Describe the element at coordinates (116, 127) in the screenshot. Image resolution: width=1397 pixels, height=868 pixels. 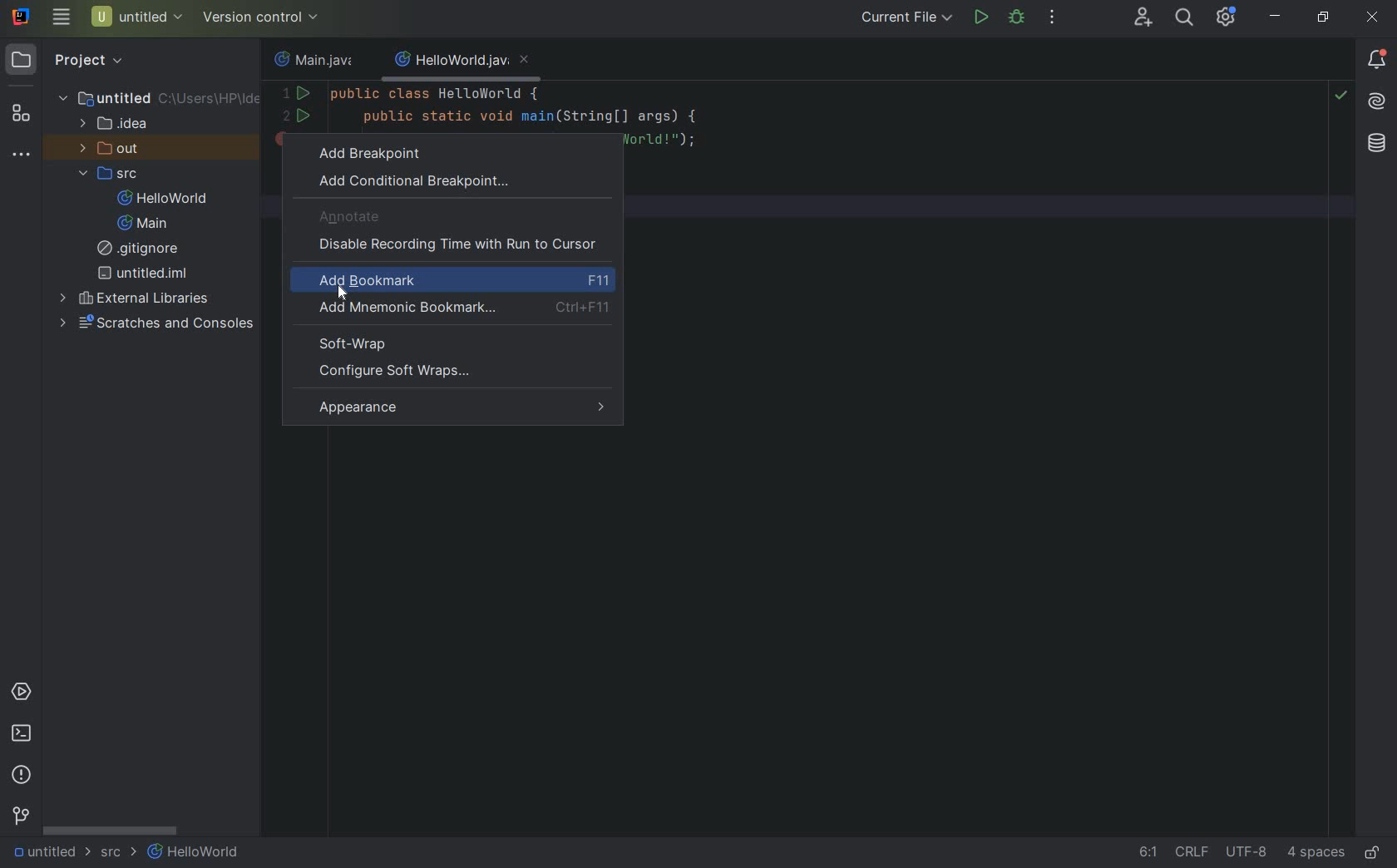
I see `idea` at that location.